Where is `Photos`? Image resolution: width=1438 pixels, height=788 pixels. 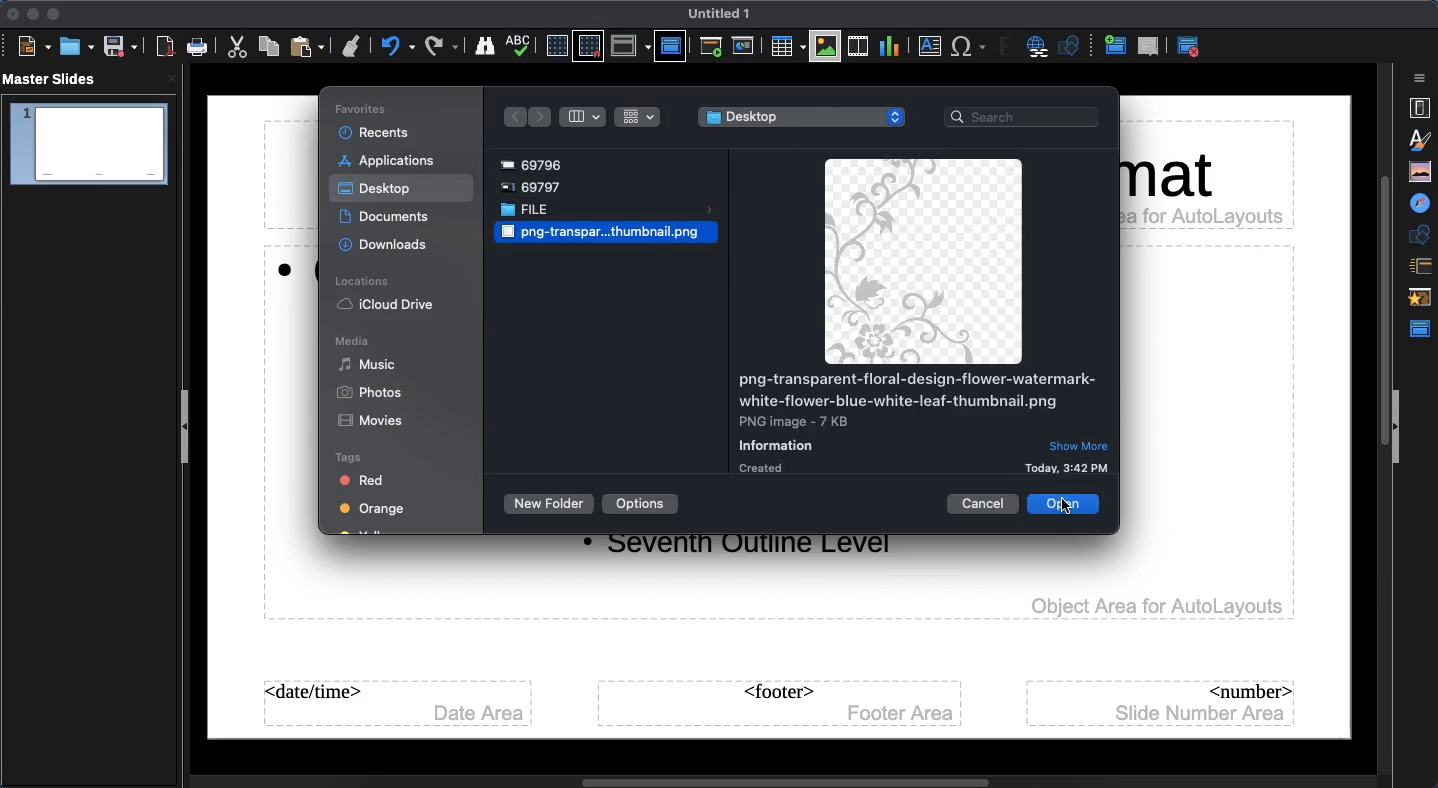 Photos is located at coordinates (374, 393).